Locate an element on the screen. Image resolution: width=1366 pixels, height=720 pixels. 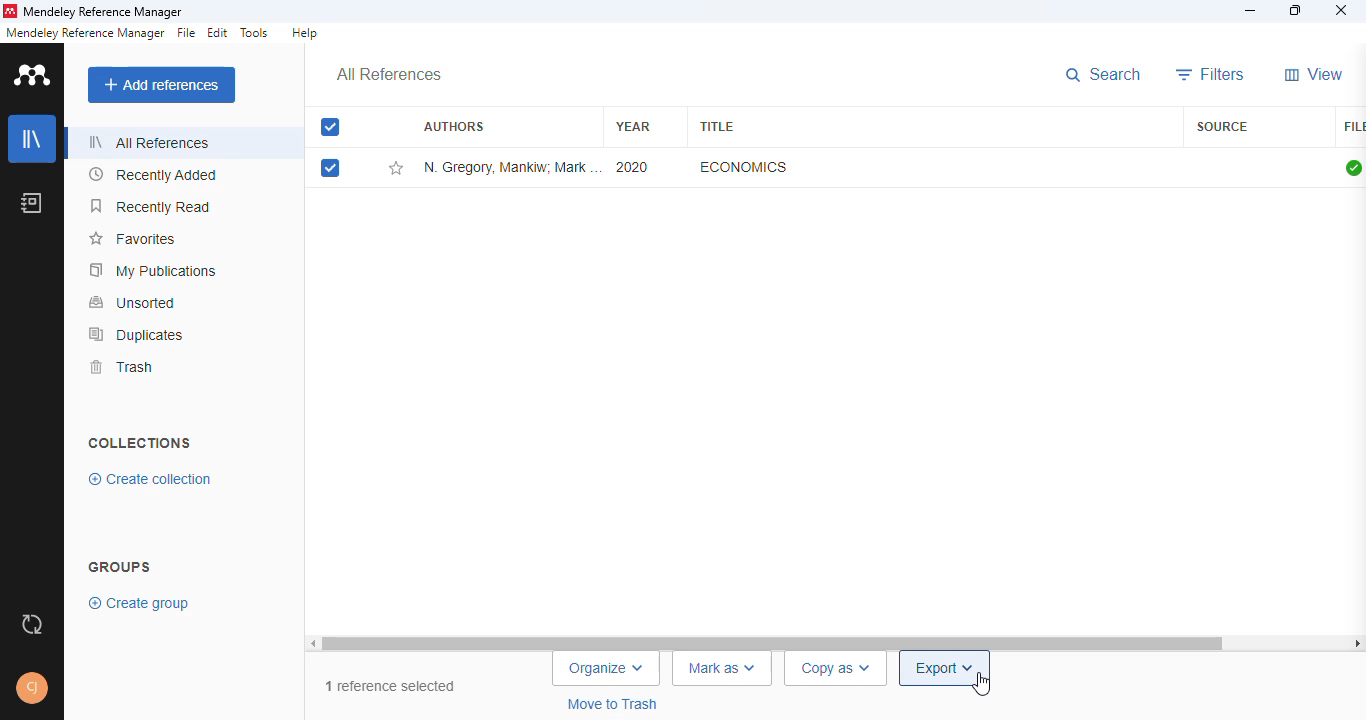
recently added is located at coordinates (155, 175).